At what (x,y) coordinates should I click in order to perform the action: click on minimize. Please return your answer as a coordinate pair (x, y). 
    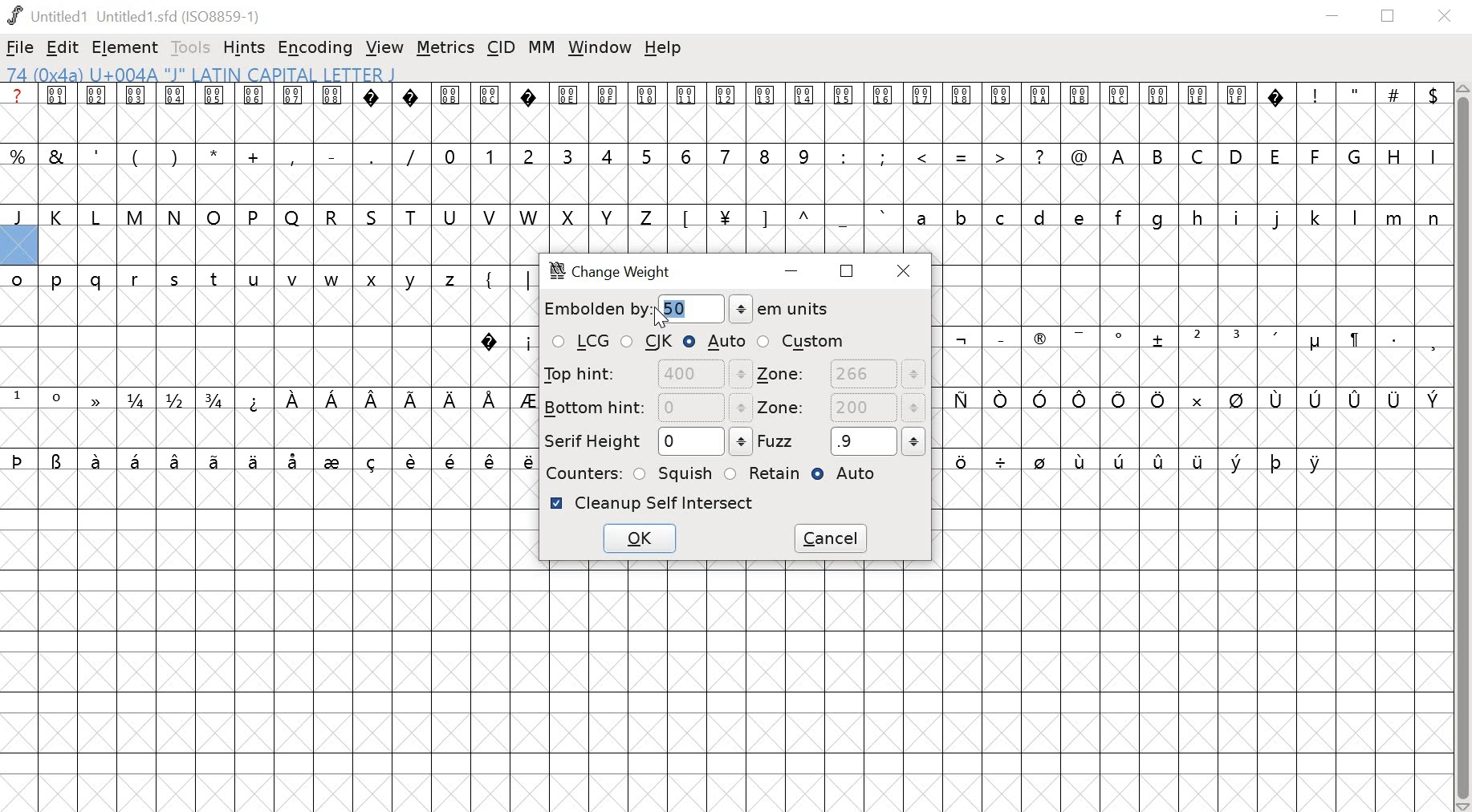
    Looking at the image, I should click on (1332, 17).